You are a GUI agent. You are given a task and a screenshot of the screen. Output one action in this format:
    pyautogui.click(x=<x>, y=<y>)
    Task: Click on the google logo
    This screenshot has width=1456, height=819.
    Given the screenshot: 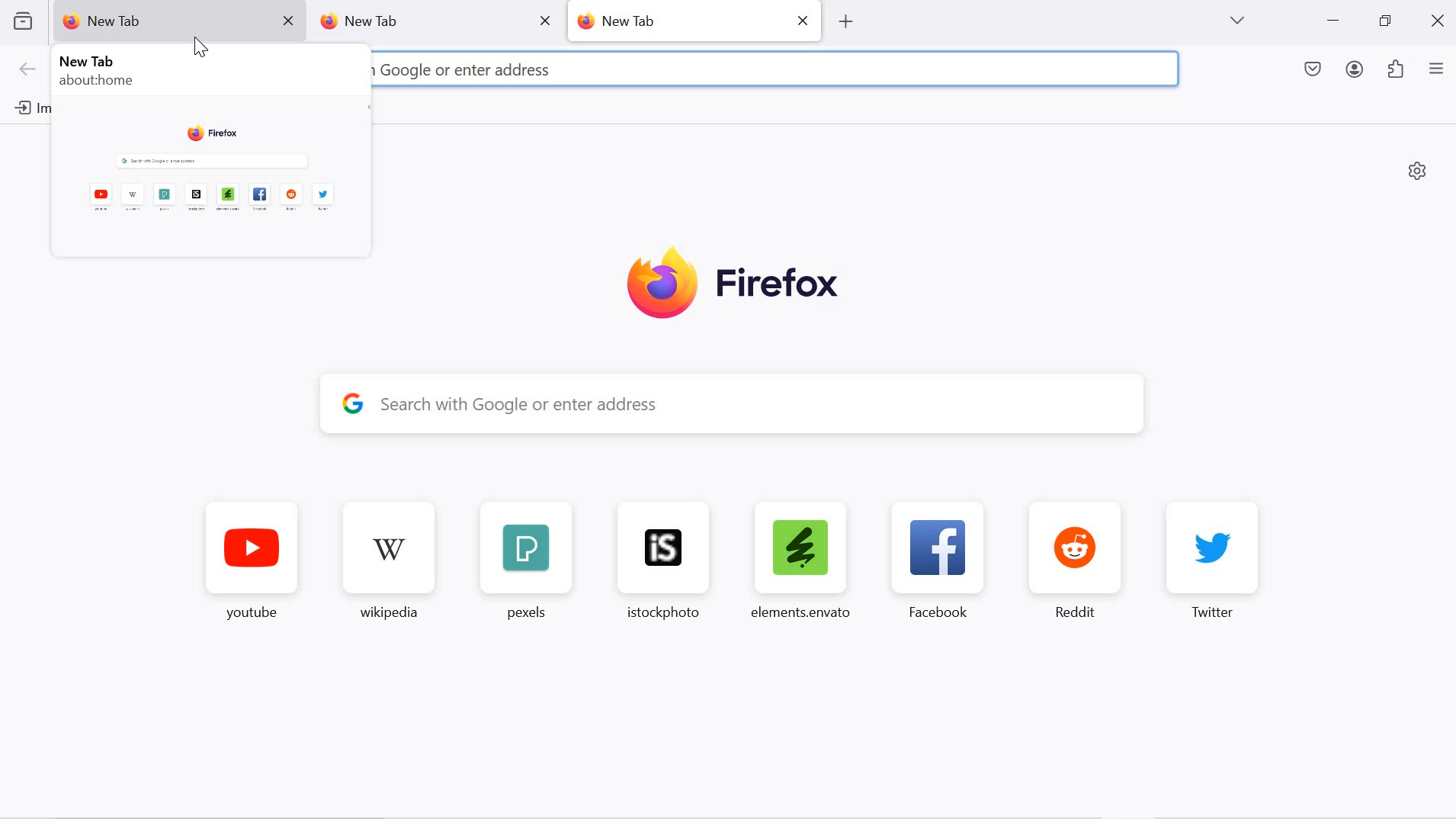 What is the action you would take?
    pyautogui.click(x=353, y=402)
    